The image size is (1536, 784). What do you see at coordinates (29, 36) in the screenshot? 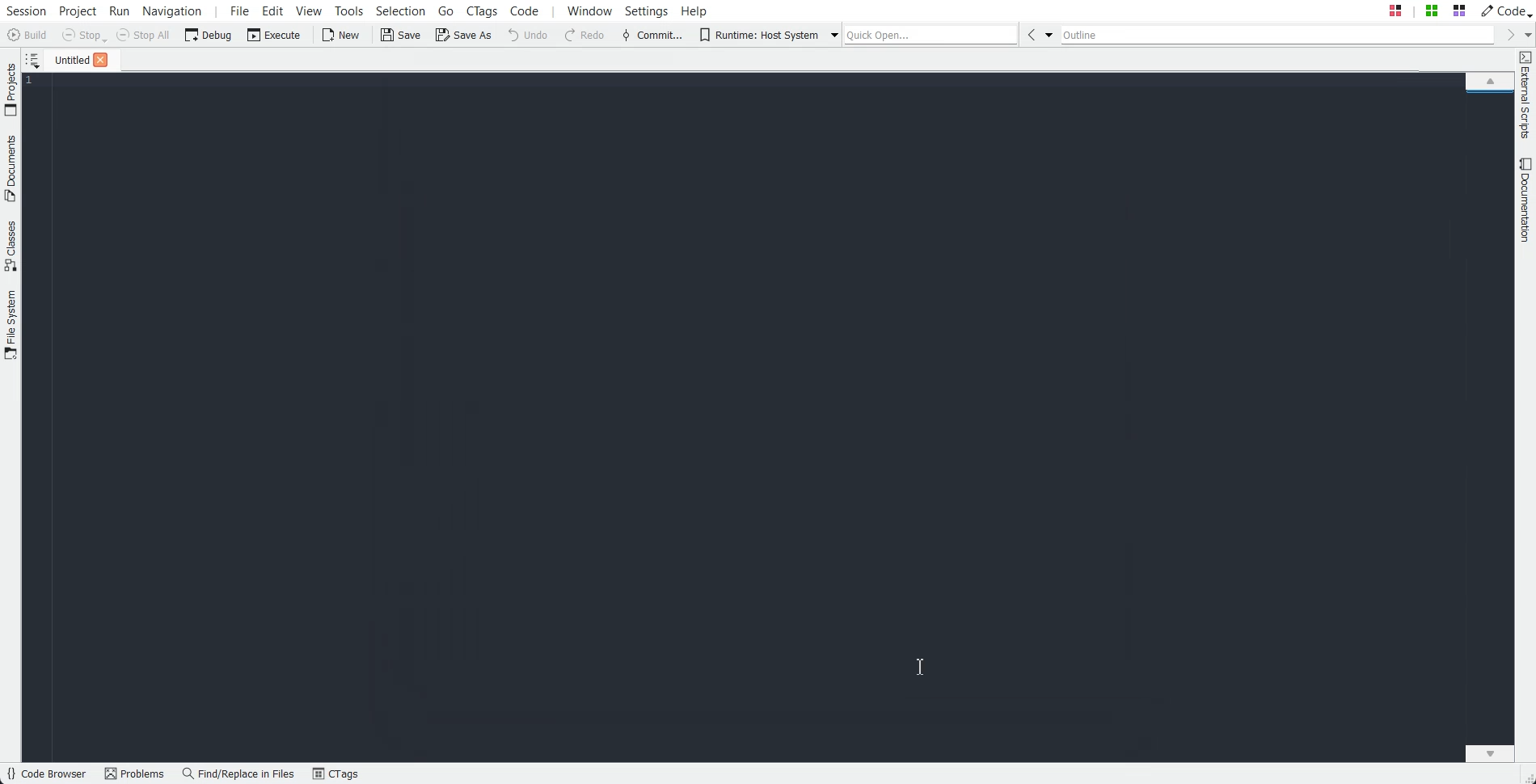
I see `Build` at bounding box center [29, 36].